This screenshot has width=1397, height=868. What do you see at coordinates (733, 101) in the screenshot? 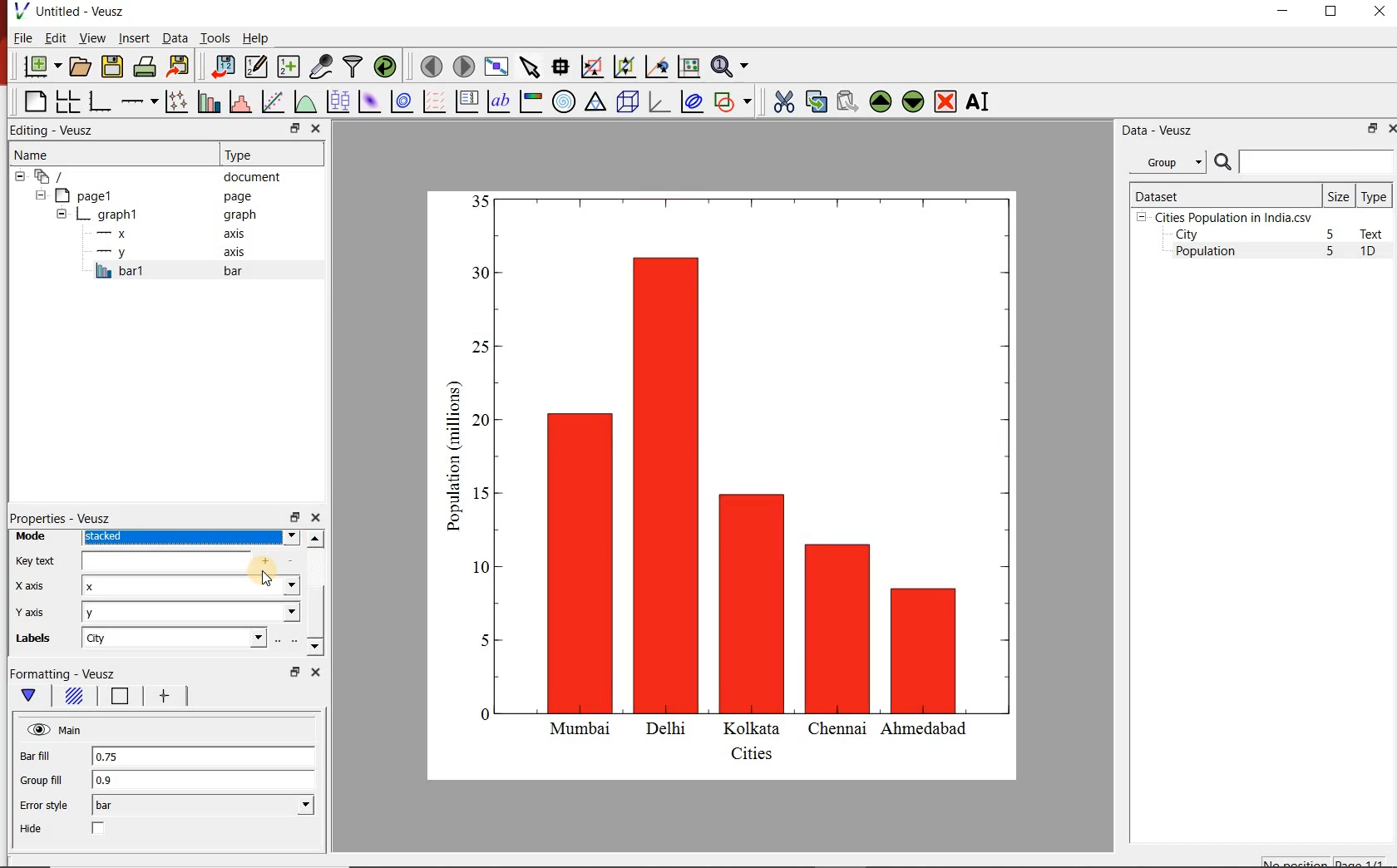
I see `add a shape to the plot` at bounding box center [733, 101].